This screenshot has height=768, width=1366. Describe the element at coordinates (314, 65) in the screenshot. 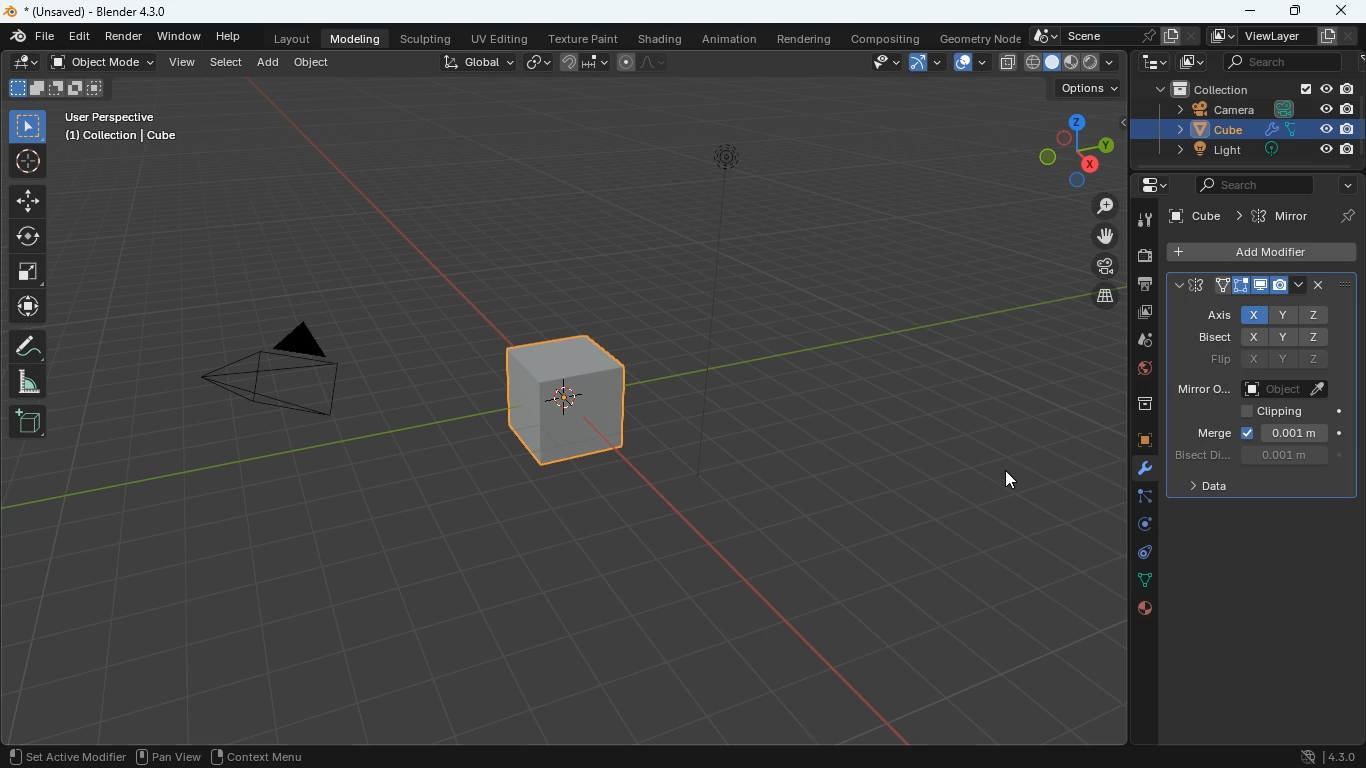

I see `object` at that location.